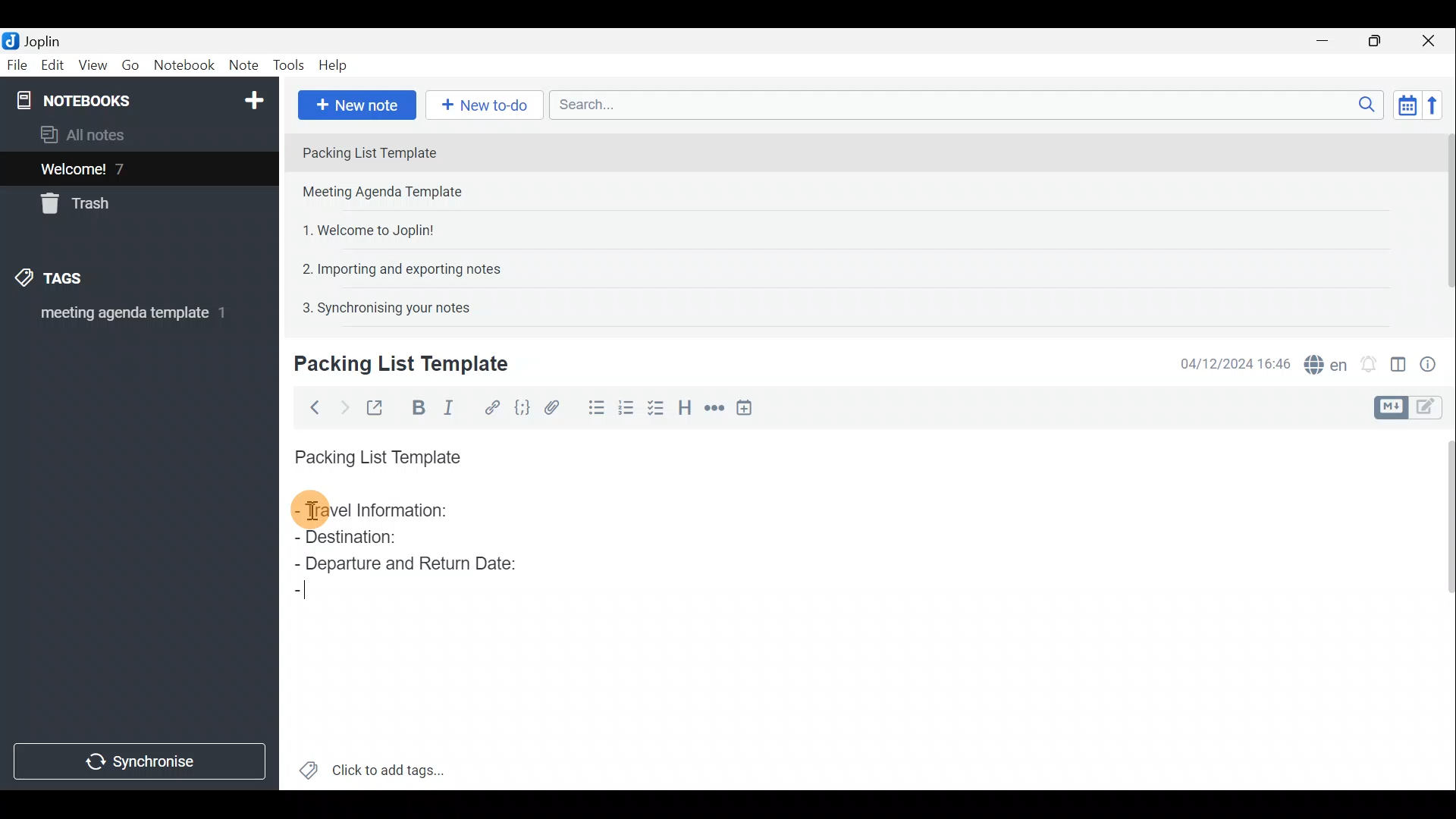 Image resolution: width=1456 pixels, height=819 pixels. I want to click on Minimise, so click(1330, 43).